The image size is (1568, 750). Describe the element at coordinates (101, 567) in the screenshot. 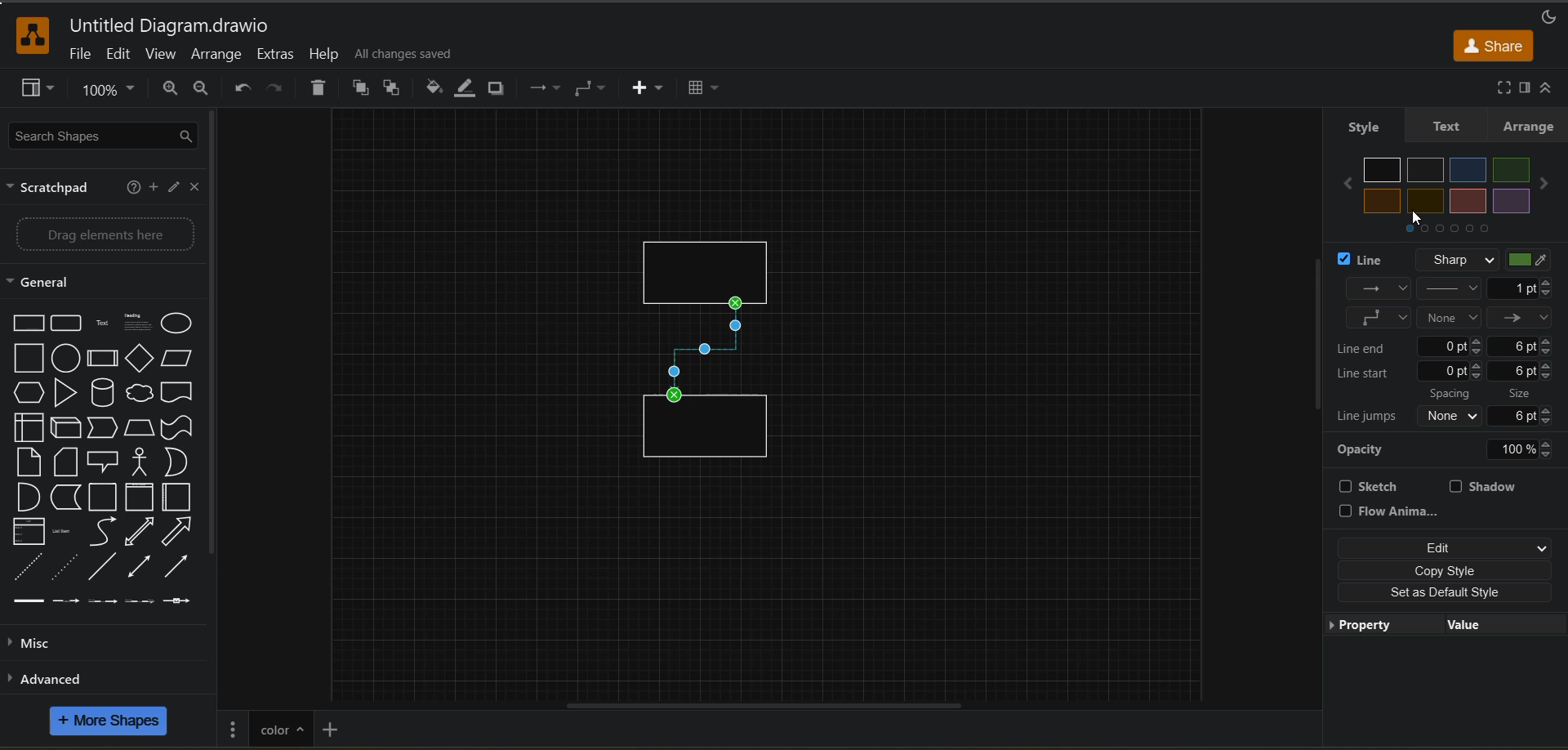

I see `Line` at that location.